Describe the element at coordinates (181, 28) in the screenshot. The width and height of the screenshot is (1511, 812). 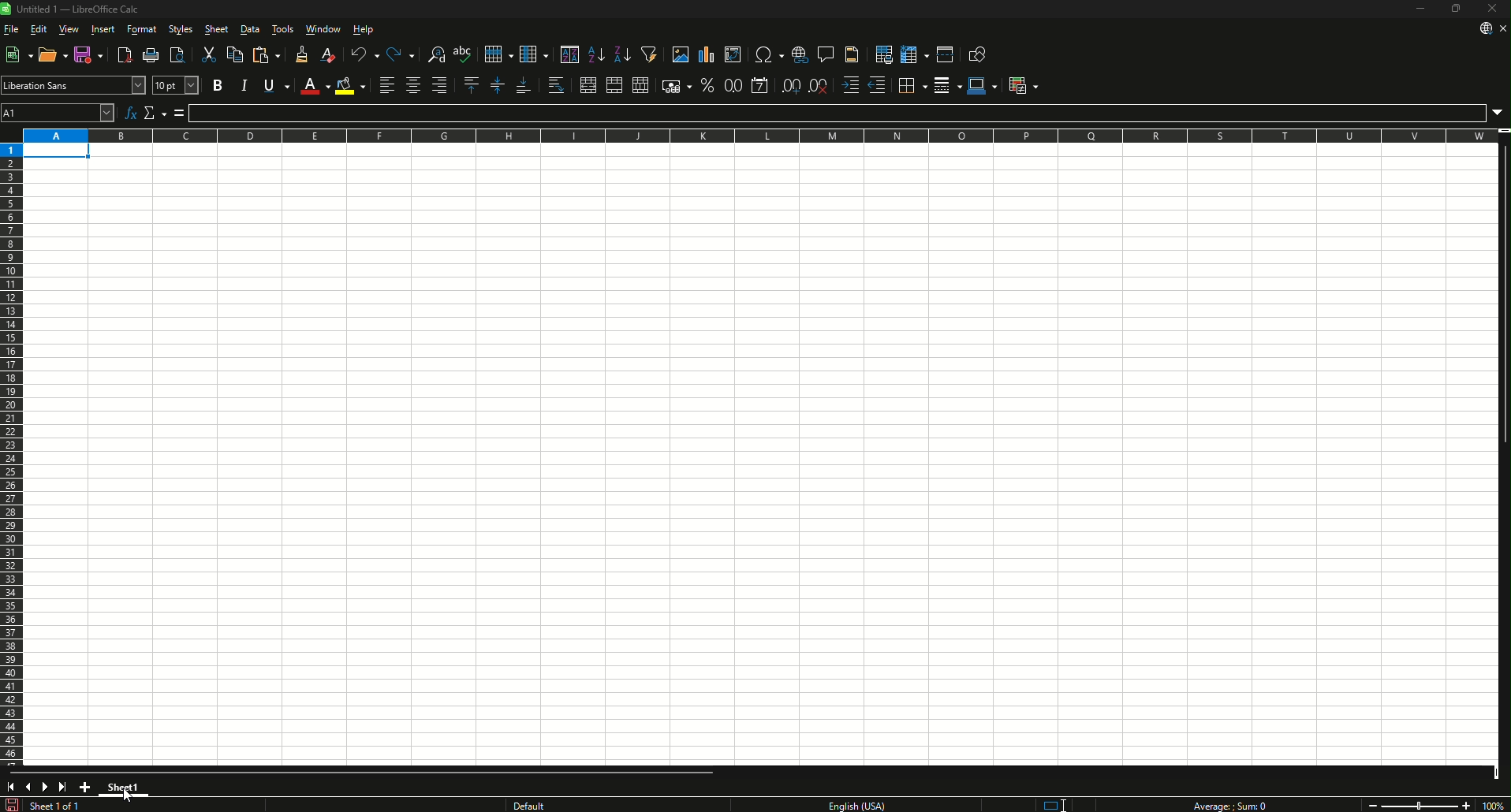
I see `Styles` at that location.